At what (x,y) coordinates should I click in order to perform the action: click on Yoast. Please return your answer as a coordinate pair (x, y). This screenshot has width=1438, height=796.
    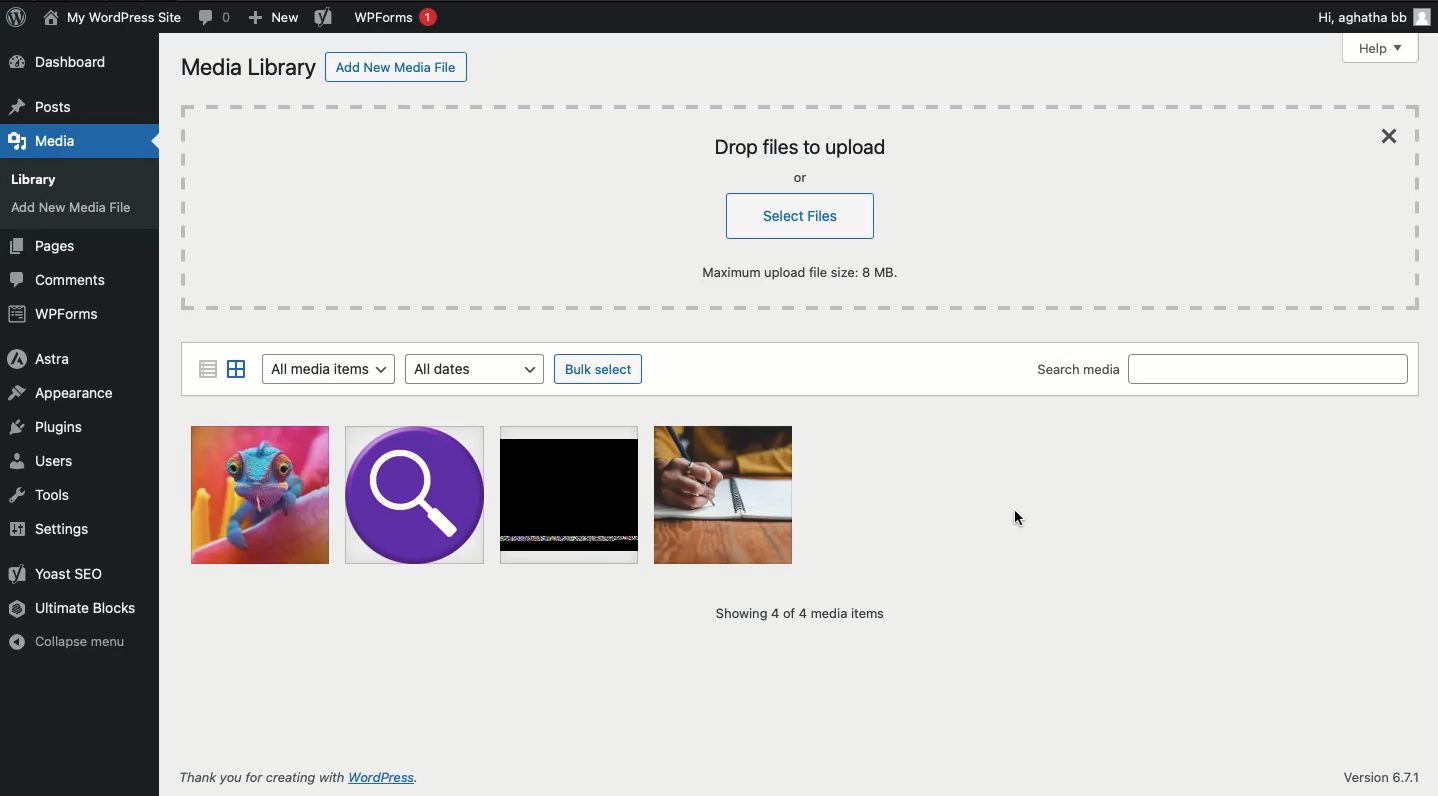
    Looking at the image, I should click on (324, 19).